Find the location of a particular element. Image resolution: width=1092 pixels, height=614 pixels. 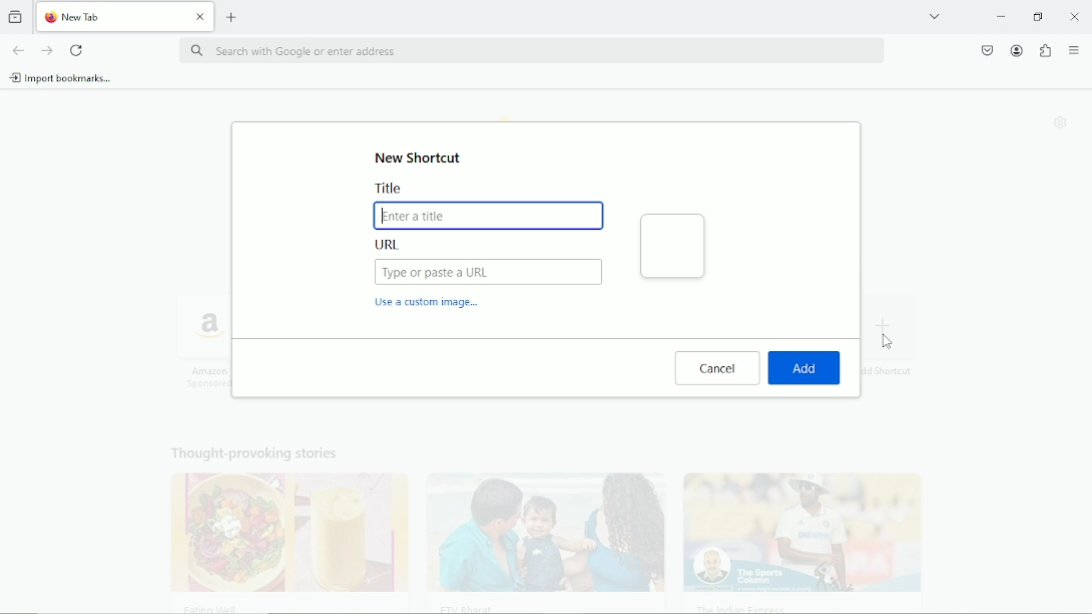

open application menu is located at coordinates (1074, 51).